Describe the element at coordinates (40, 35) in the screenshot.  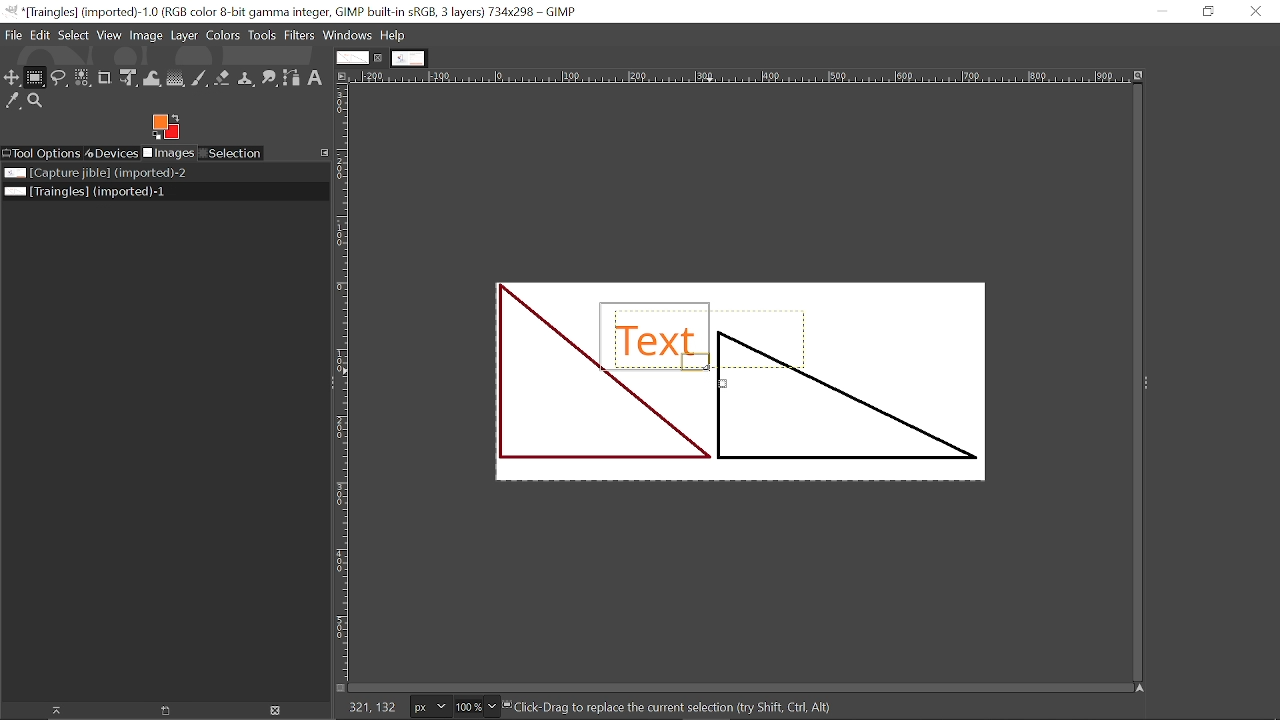
I see `Edit` at that location.